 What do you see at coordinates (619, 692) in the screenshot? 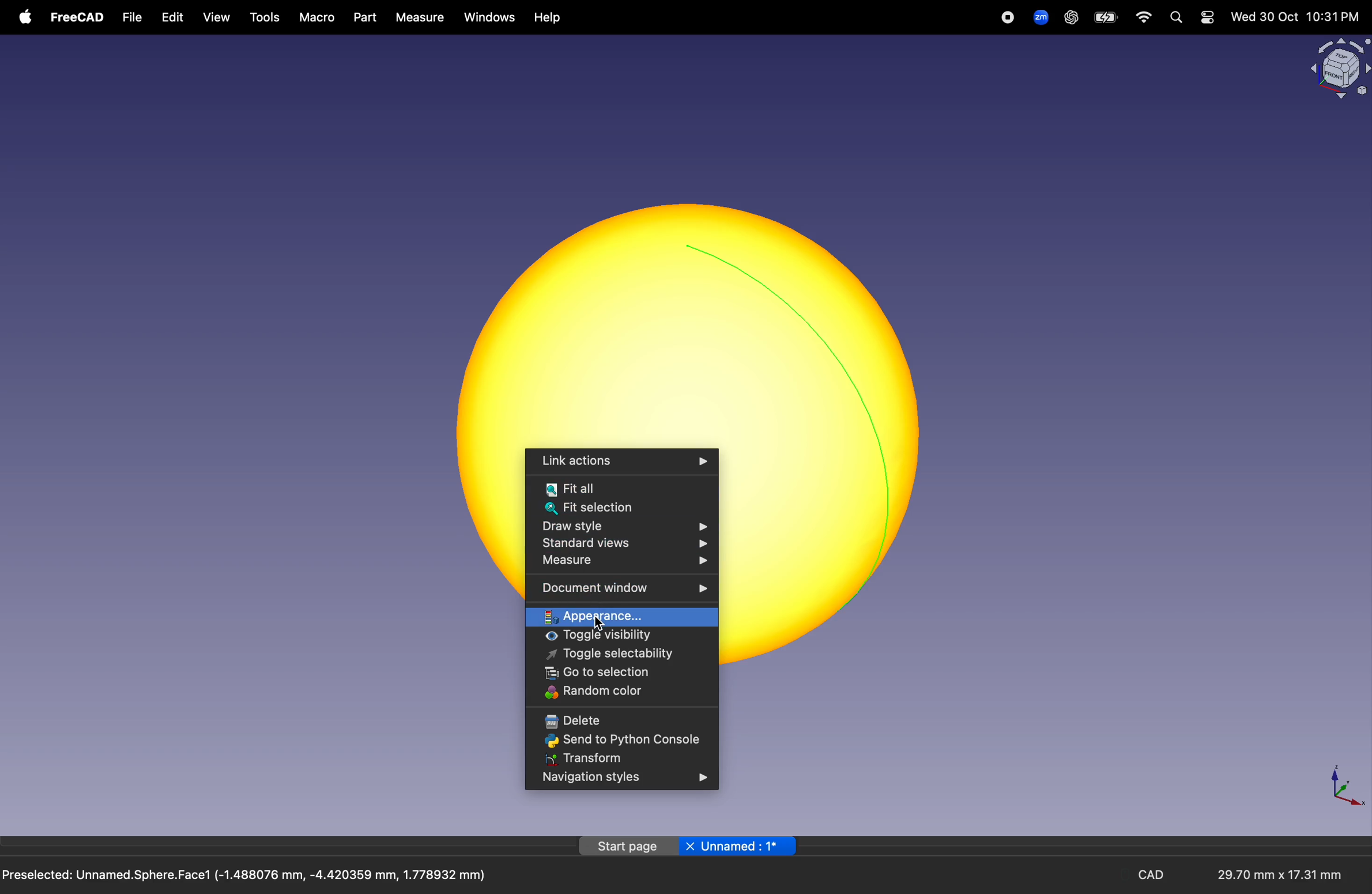
I see `random color` at bounding box center [619, 692].